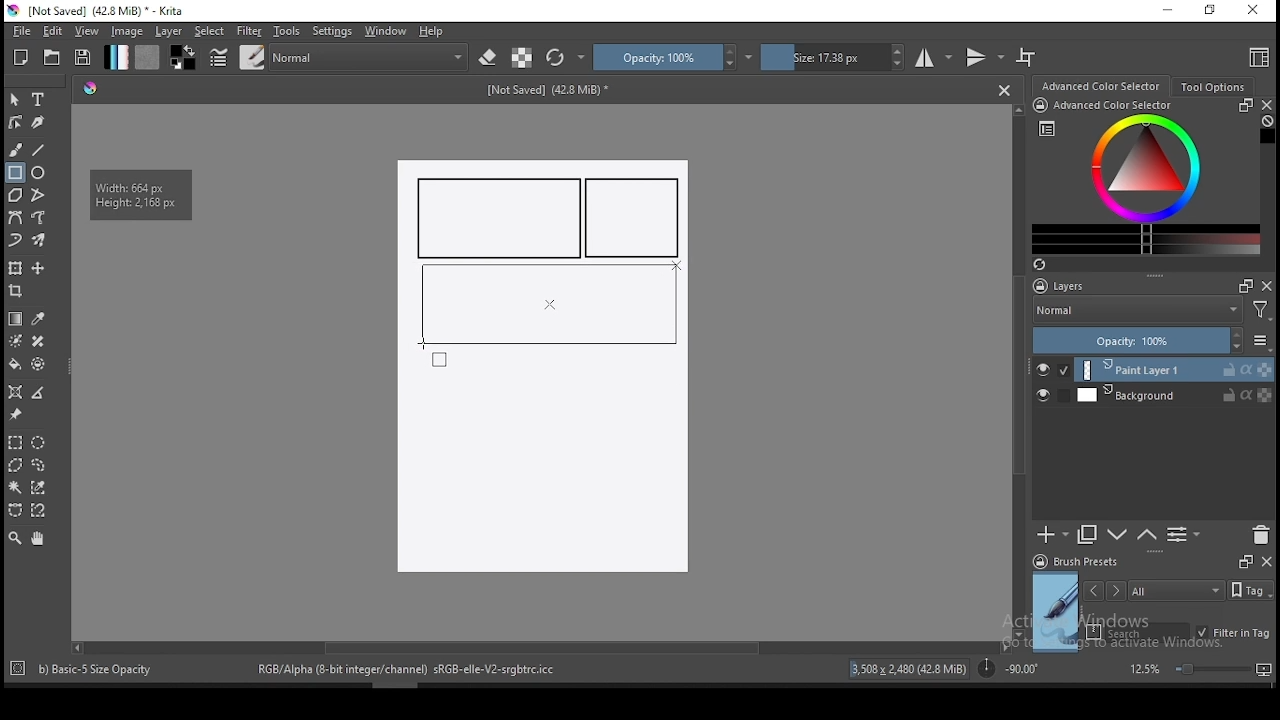 The height and width of the screenshot is (720, 1280). Describe the element at coordinates (14, 219) in the screenshot. I see `bezier curve tool` at that location.